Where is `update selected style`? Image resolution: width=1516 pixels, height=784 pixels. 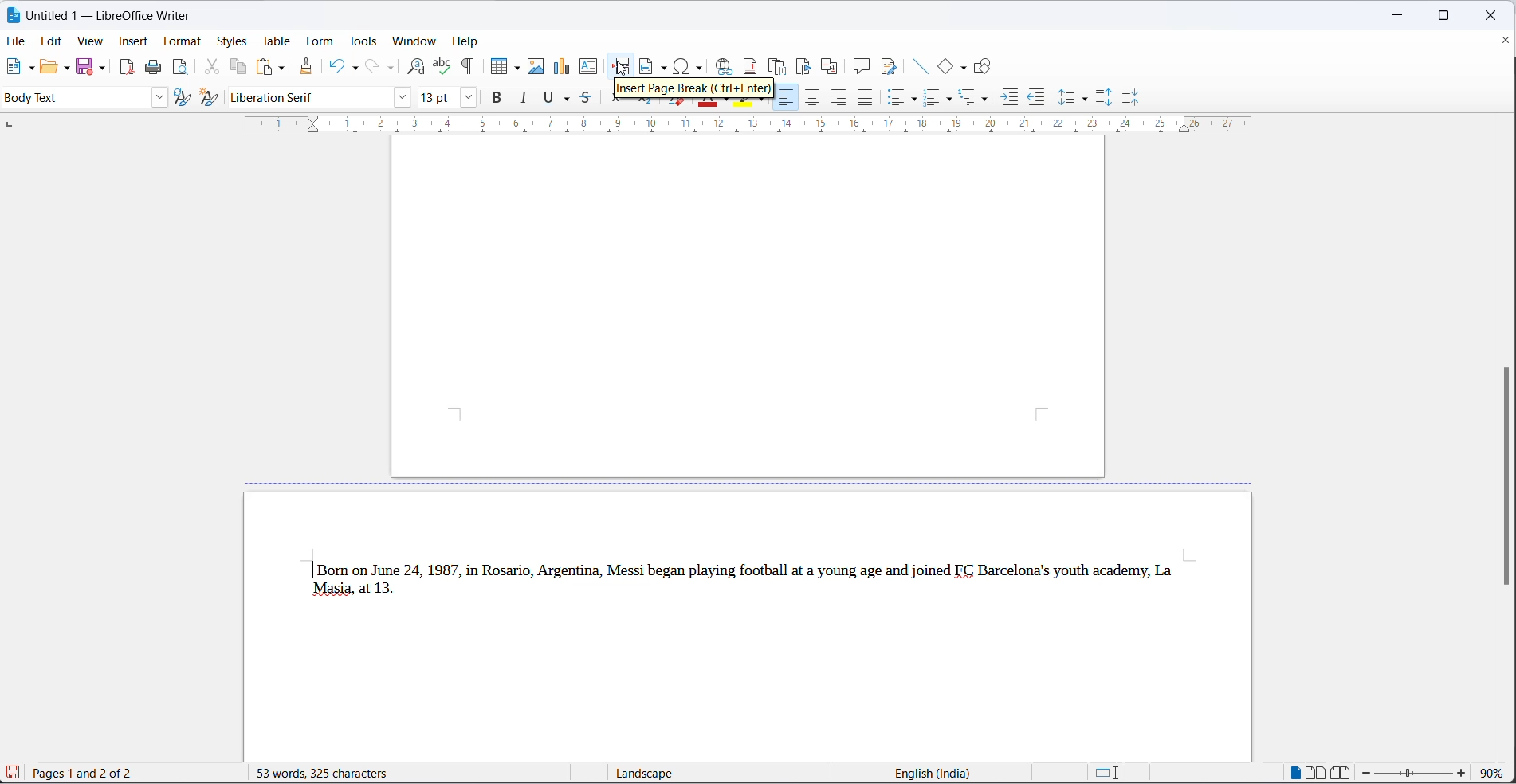 update selected style is located at coordinates (184, 98).